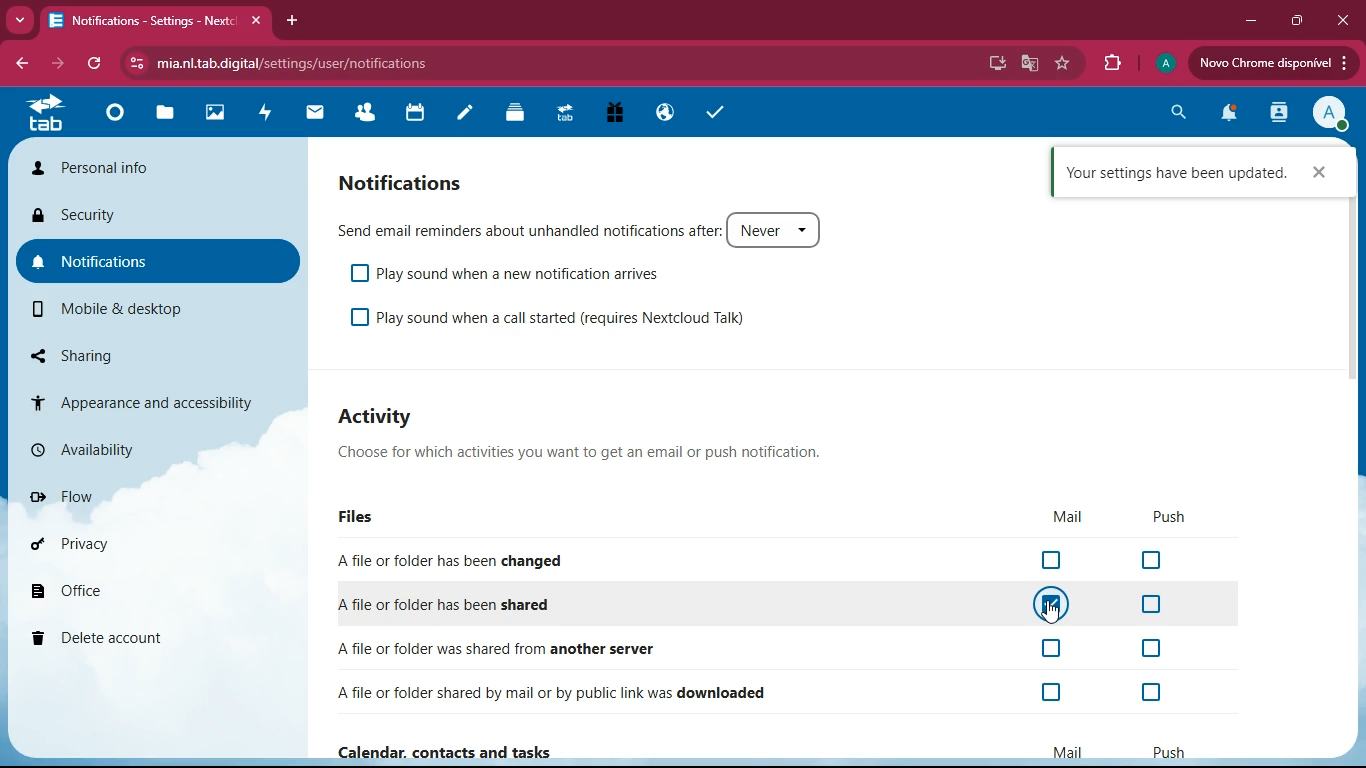  What do you see at coordinates (615, 114) in the screenshot?
I see `gift` at bounding box center [615, 114].